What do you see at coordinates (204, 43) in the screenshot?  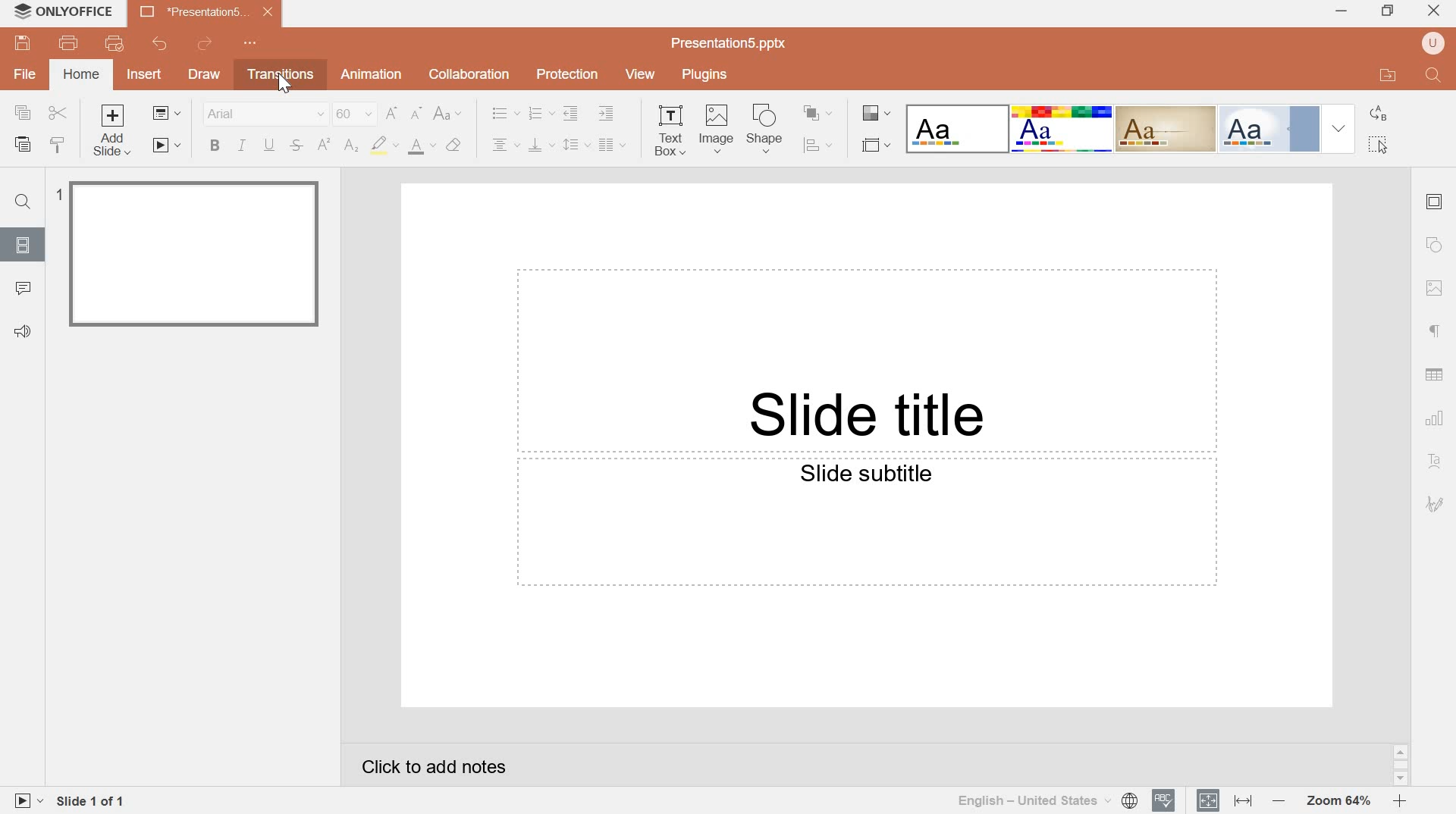 I see `redo` at bounding box center [204, 43].